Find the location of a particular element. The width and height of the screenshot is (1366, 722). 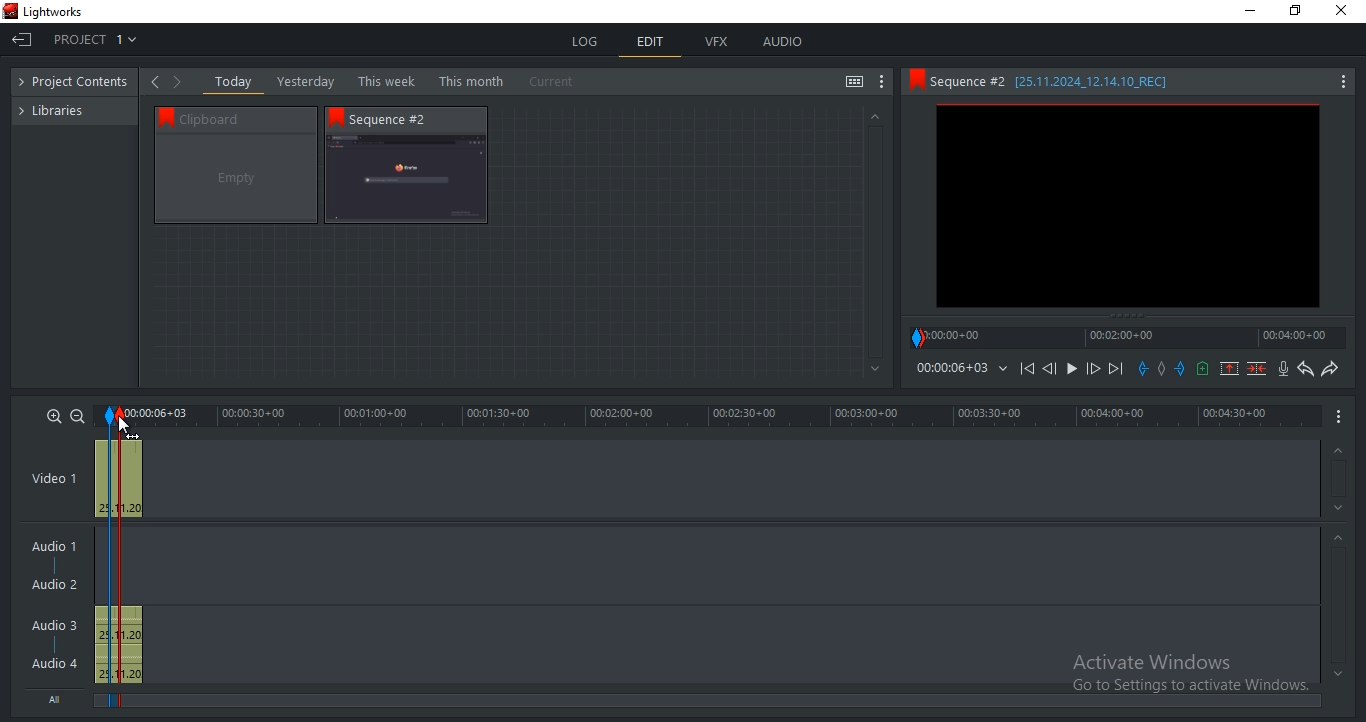

Nudge one frame forward is located at coordinates (1091, 369).